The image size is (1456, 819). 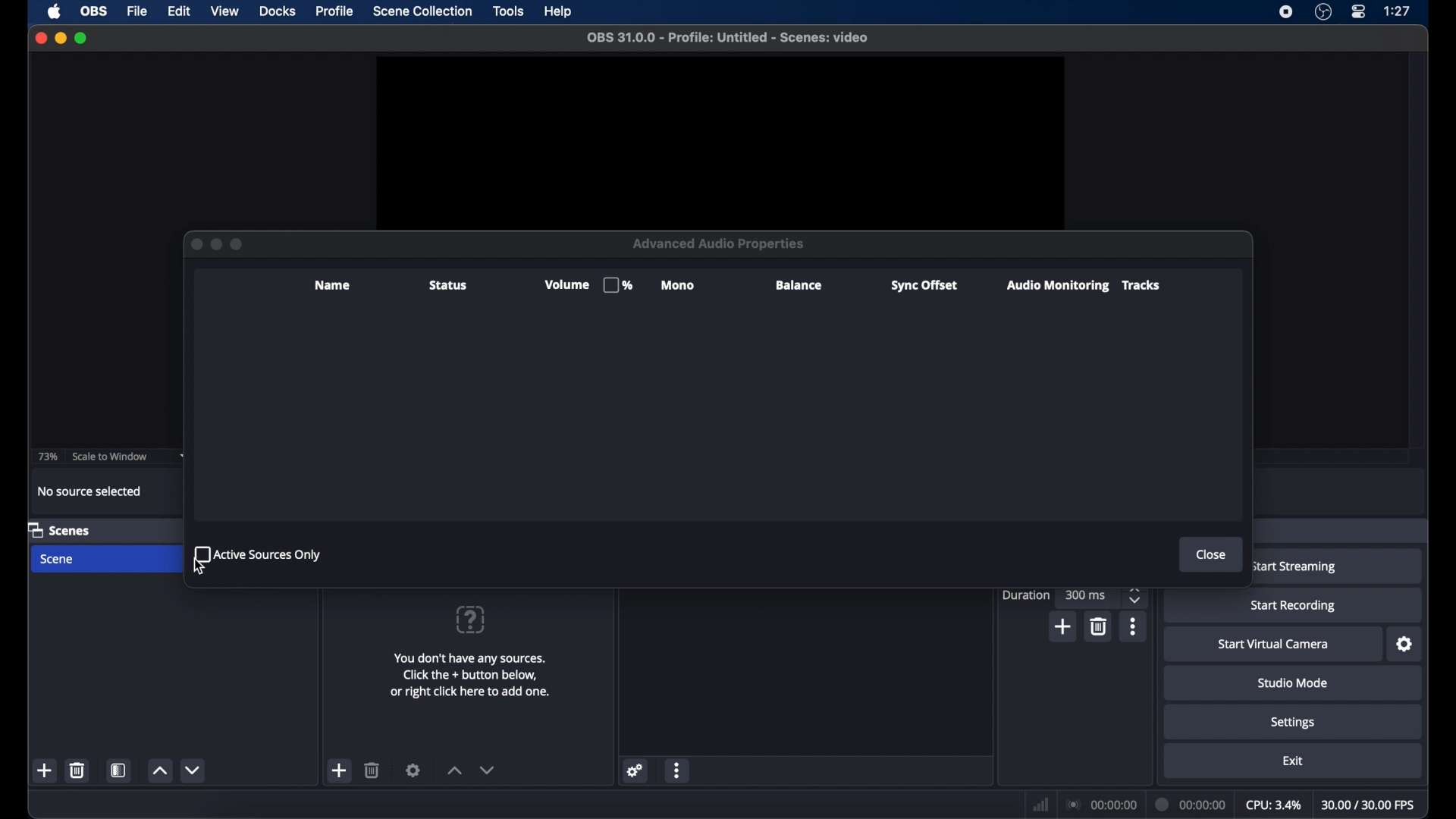 What do you see at coordinates (1292, 683) in the screenshot?
I see `studio mode` at bounding box center [1292, 683].